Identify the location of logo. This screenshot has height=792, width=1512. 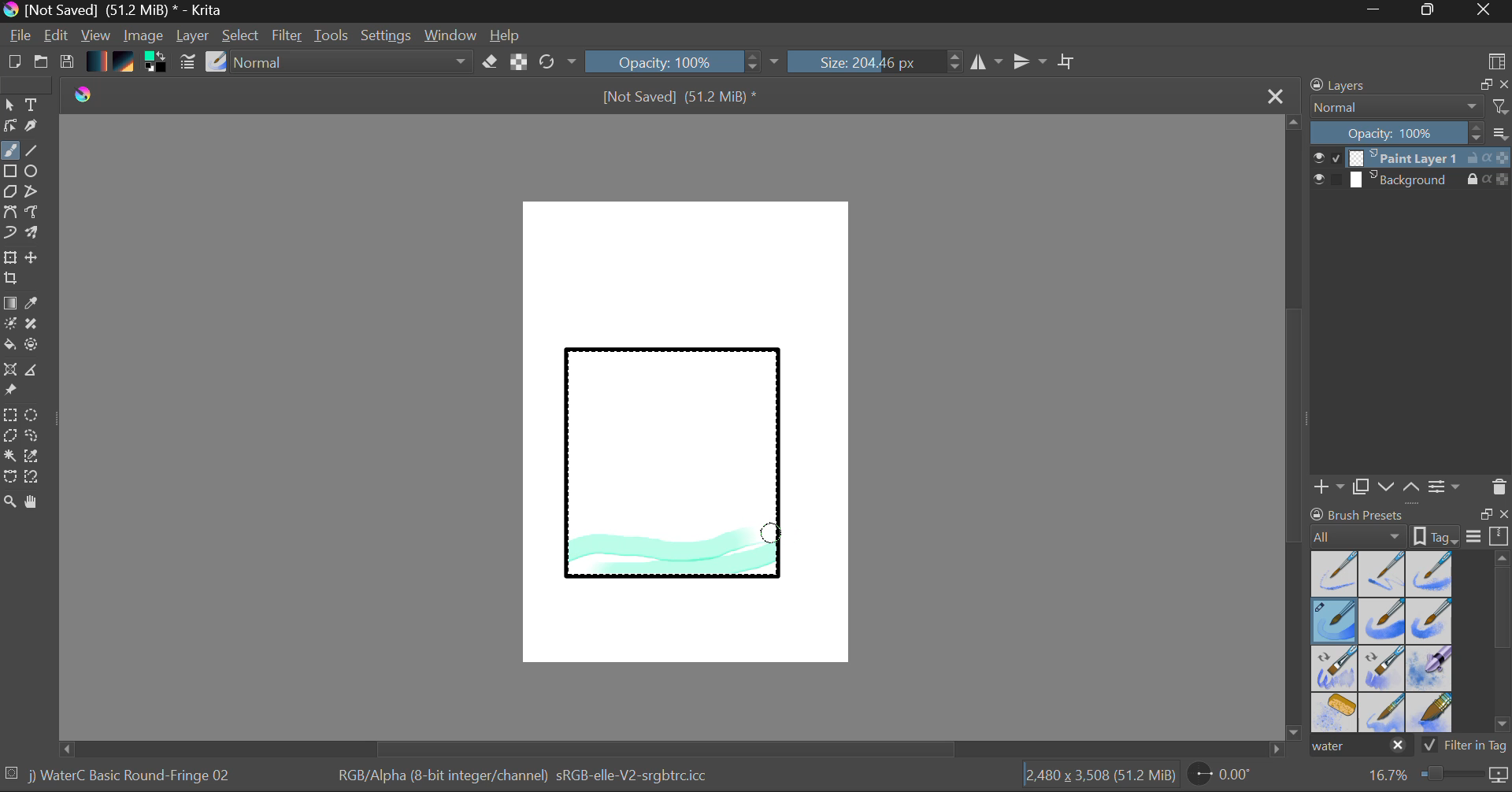
(87, 95).